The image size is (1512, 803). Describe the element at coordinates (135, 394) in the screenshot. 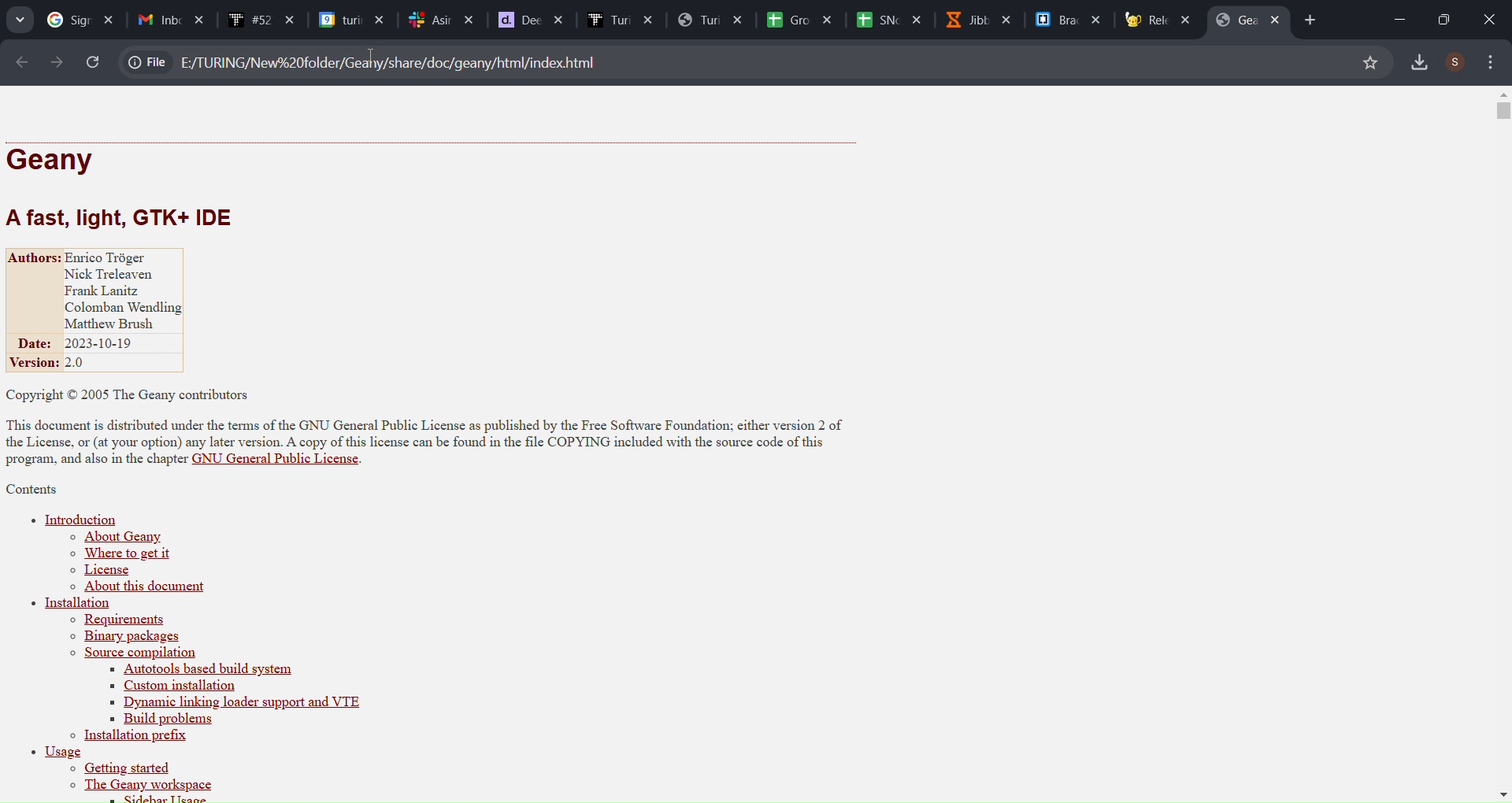

I see `Copyright@ 2005 the Geany contributors` at that location.